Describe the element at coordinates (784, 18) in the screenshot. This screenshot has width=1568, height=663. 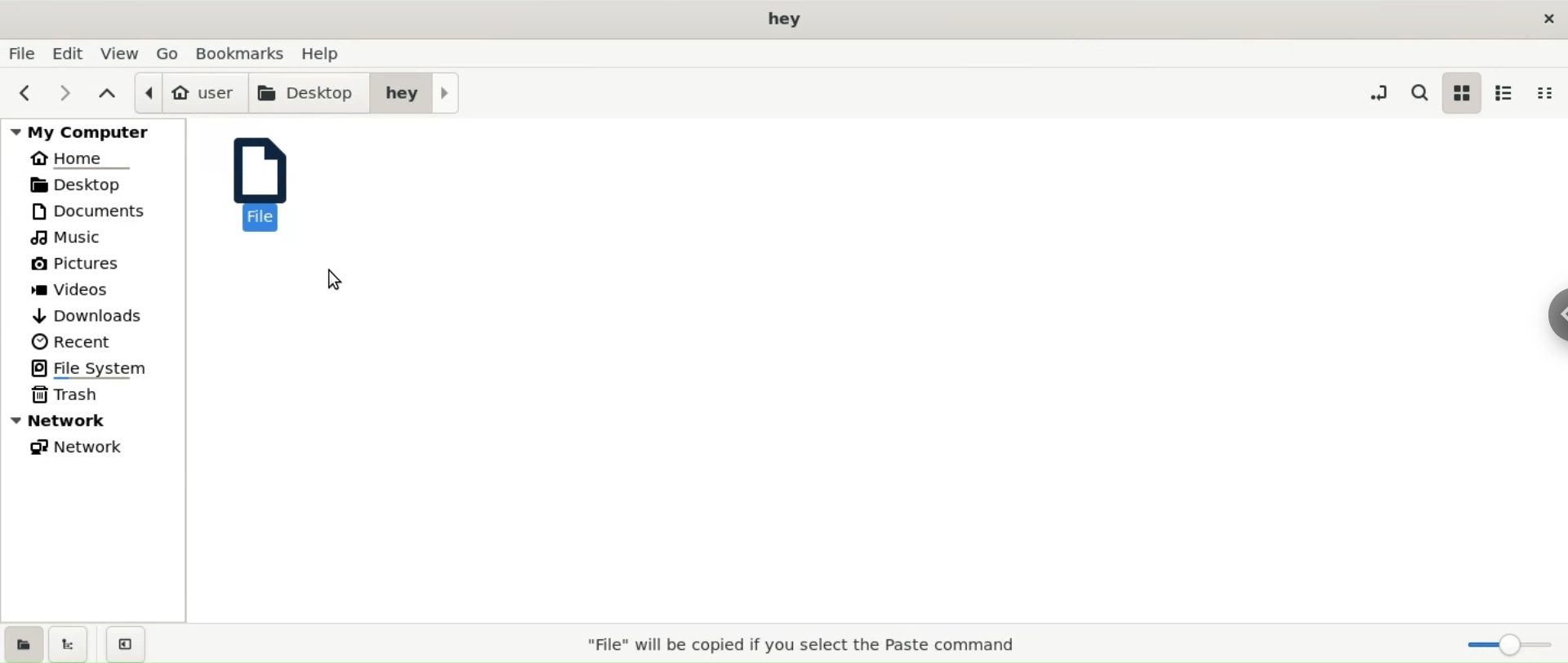
I see `title` at that location.